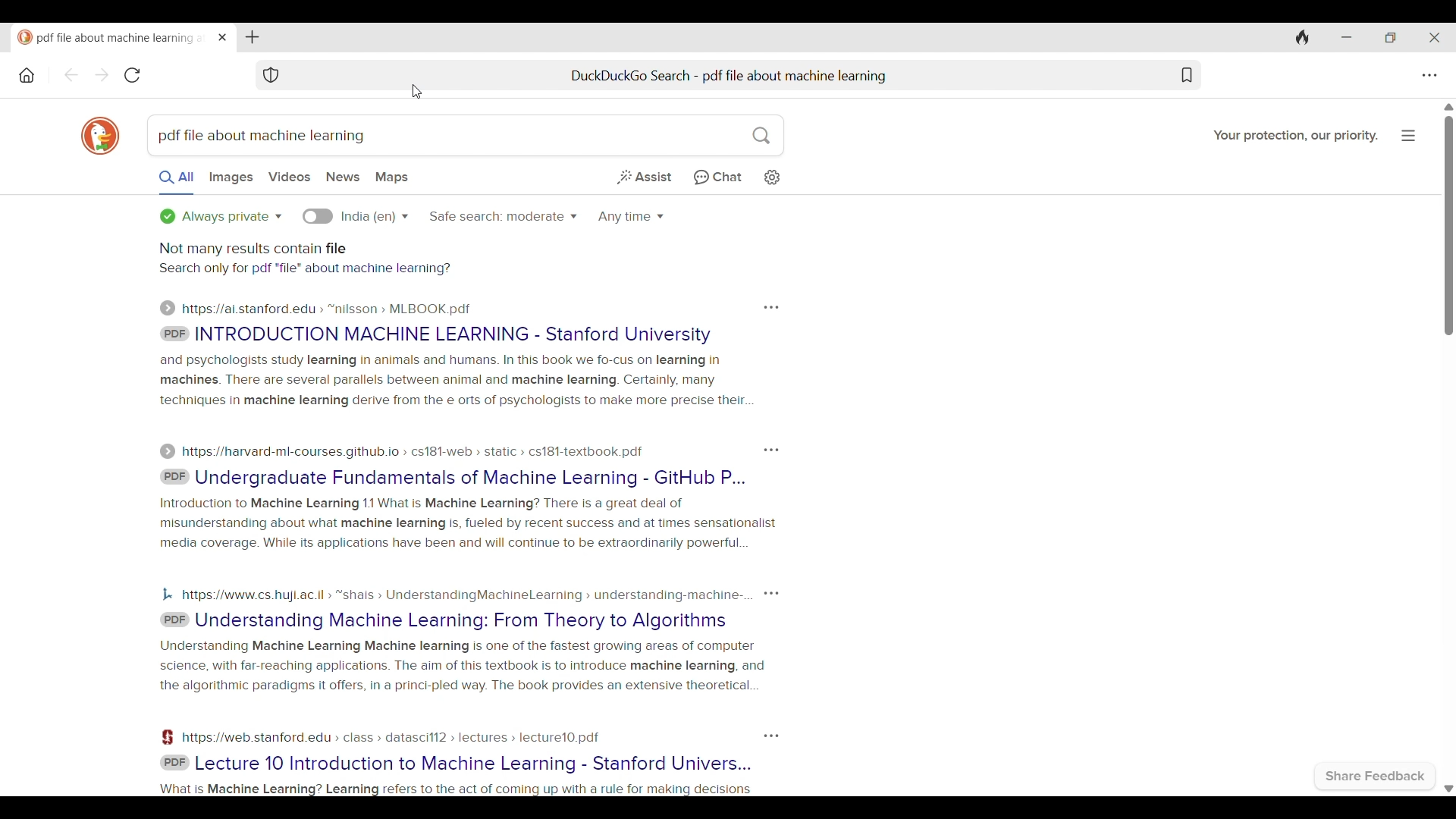 This screenshot has height=819, width=1456. What do you see at coordinates (221, 216) in the screenshot?
I see `Privacy options` at bounding box center [221, 216].